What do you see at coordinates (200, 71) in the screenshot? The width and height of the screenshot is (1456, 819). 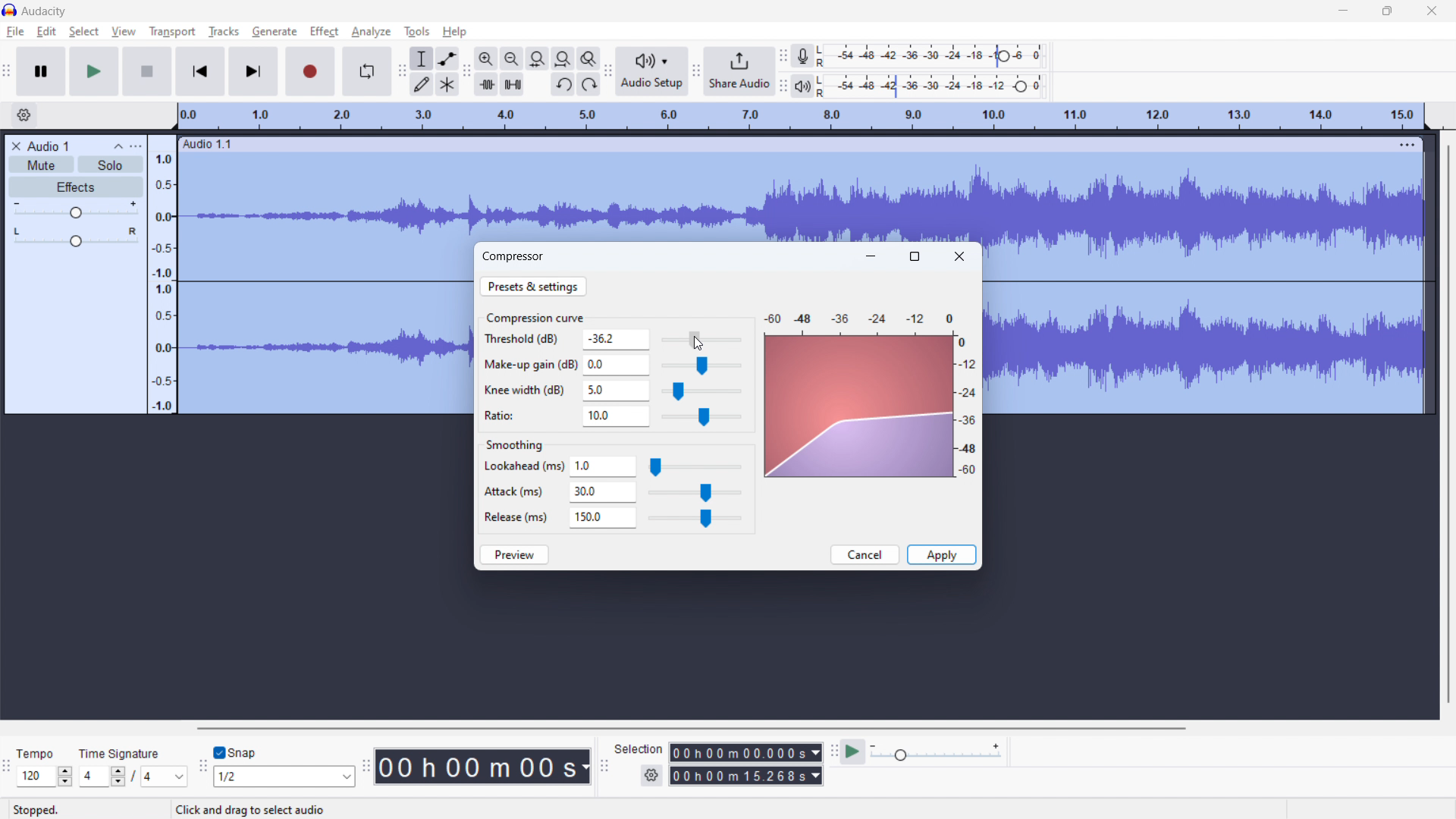 I see `skip to start` at bounding box center [200, 71].